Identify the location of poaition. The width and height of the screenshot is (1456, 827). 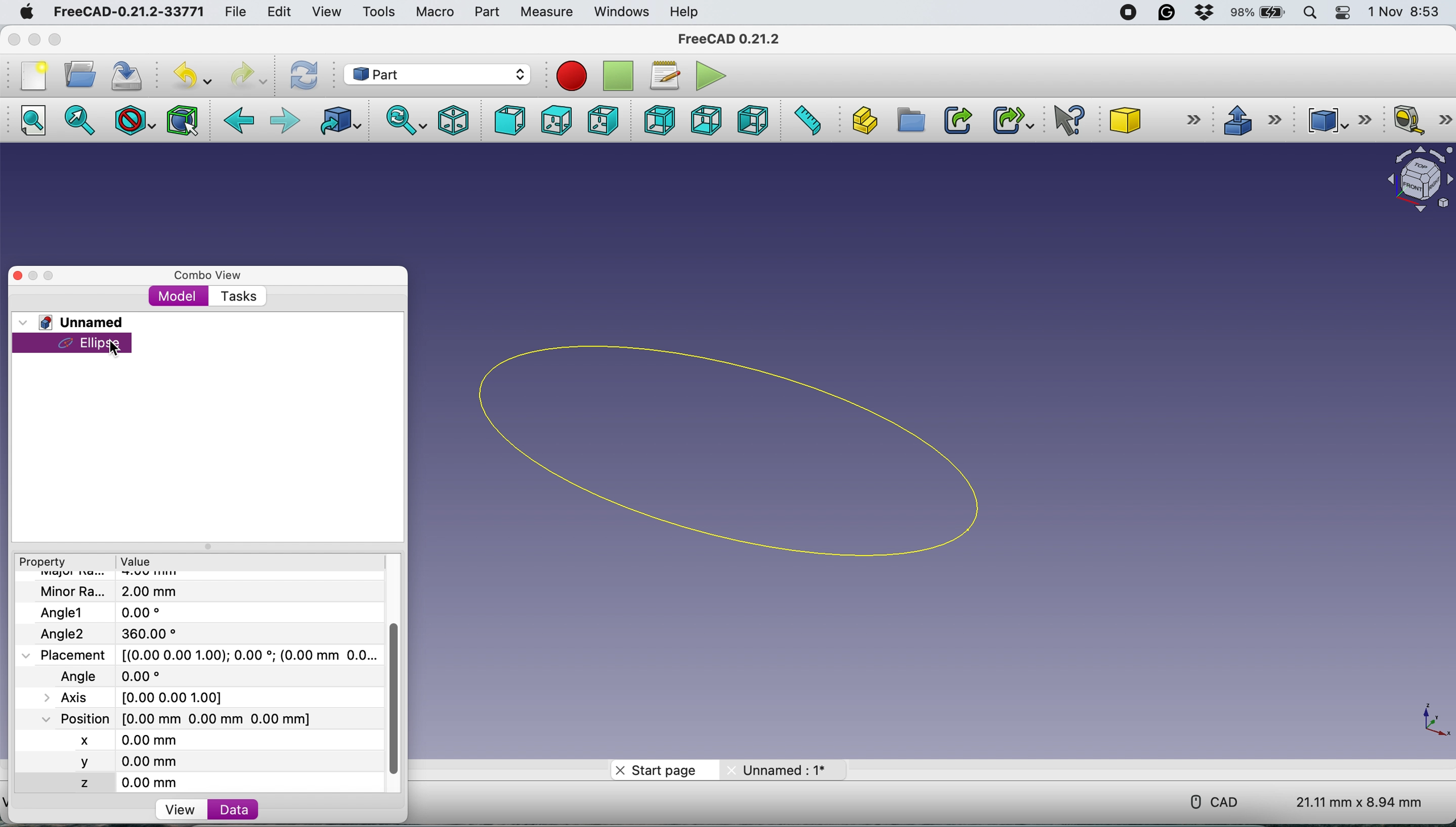
(207, 718).